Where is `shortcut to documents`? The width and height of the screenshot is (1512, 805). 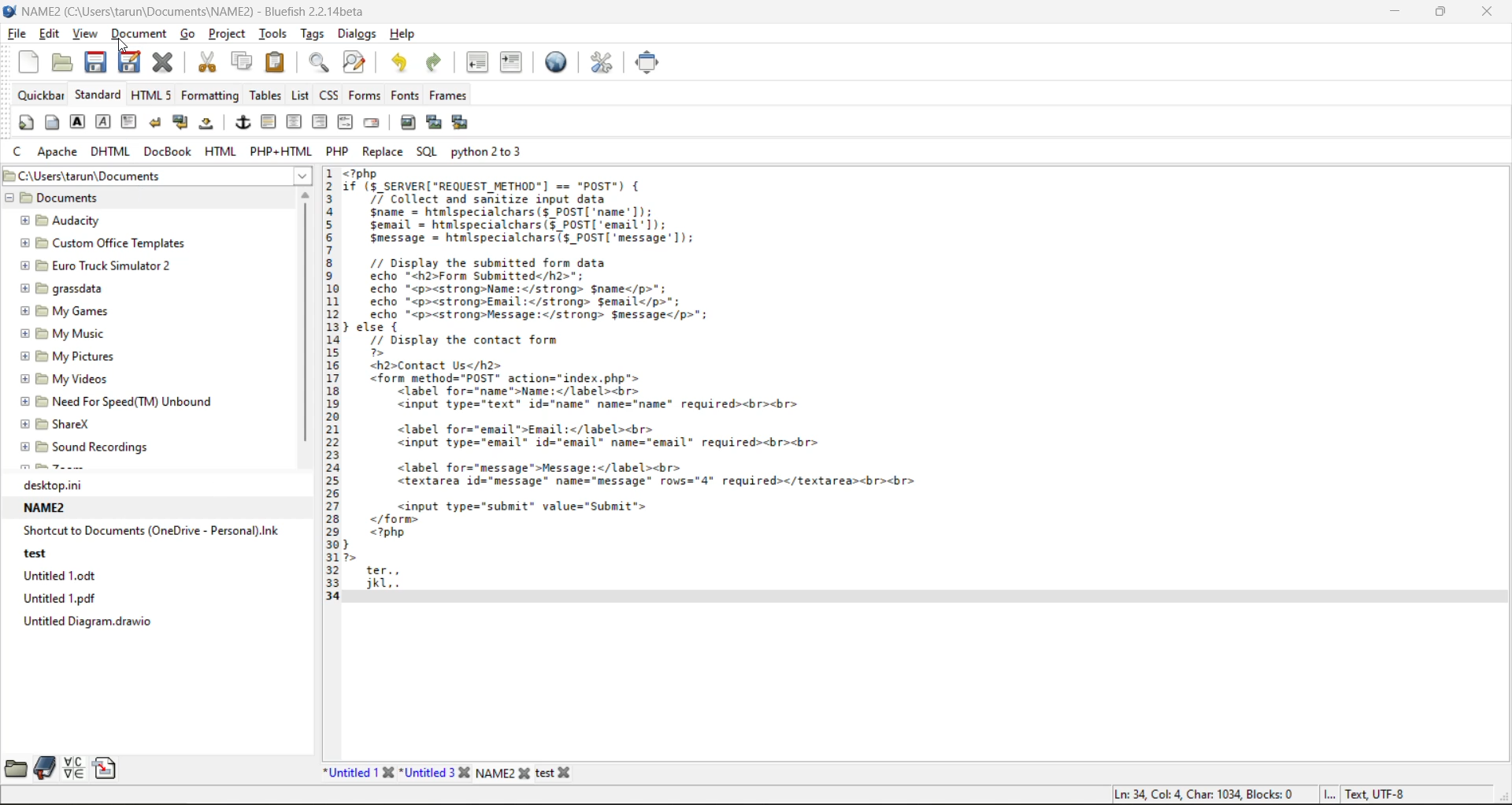
shortcut to documents is located at coordinates (152, 532).